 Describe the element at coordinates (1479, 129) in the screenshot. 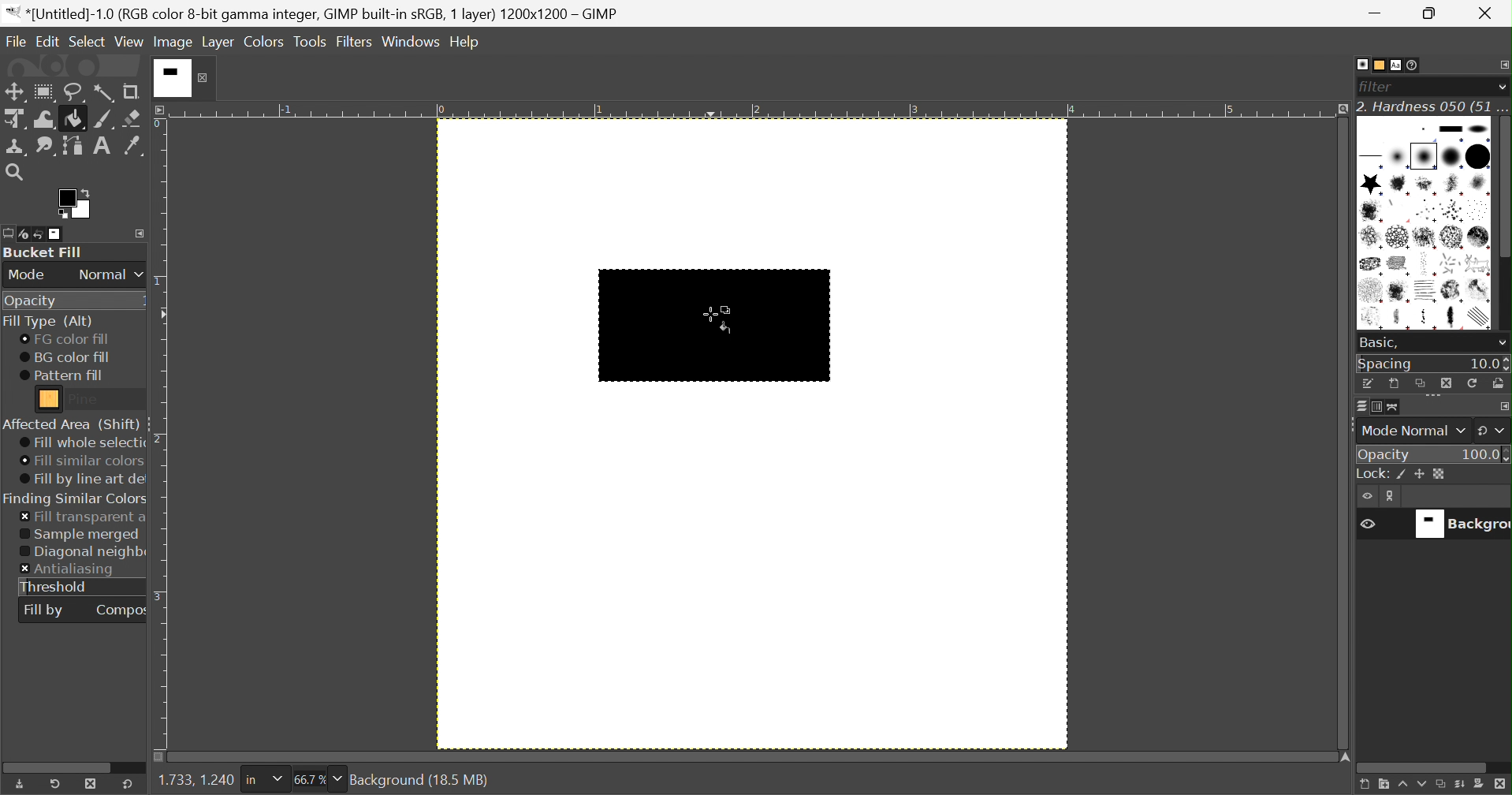

I see `block 02` at that location.